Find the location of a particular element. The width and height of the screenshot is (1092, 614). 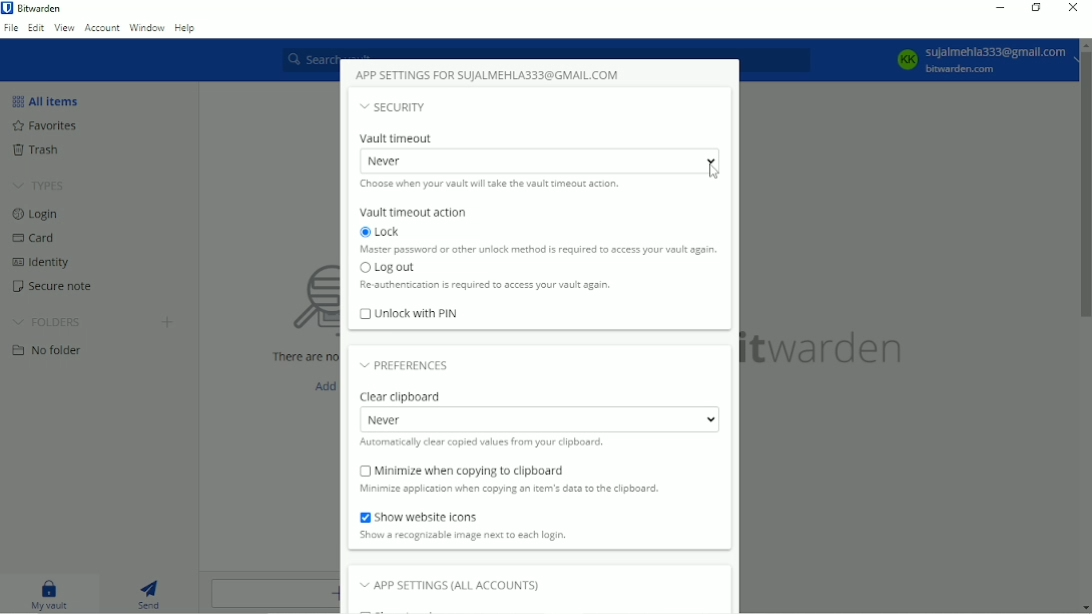

Reauthentication is required to access your vault again. is located at coordinates (485, 287).